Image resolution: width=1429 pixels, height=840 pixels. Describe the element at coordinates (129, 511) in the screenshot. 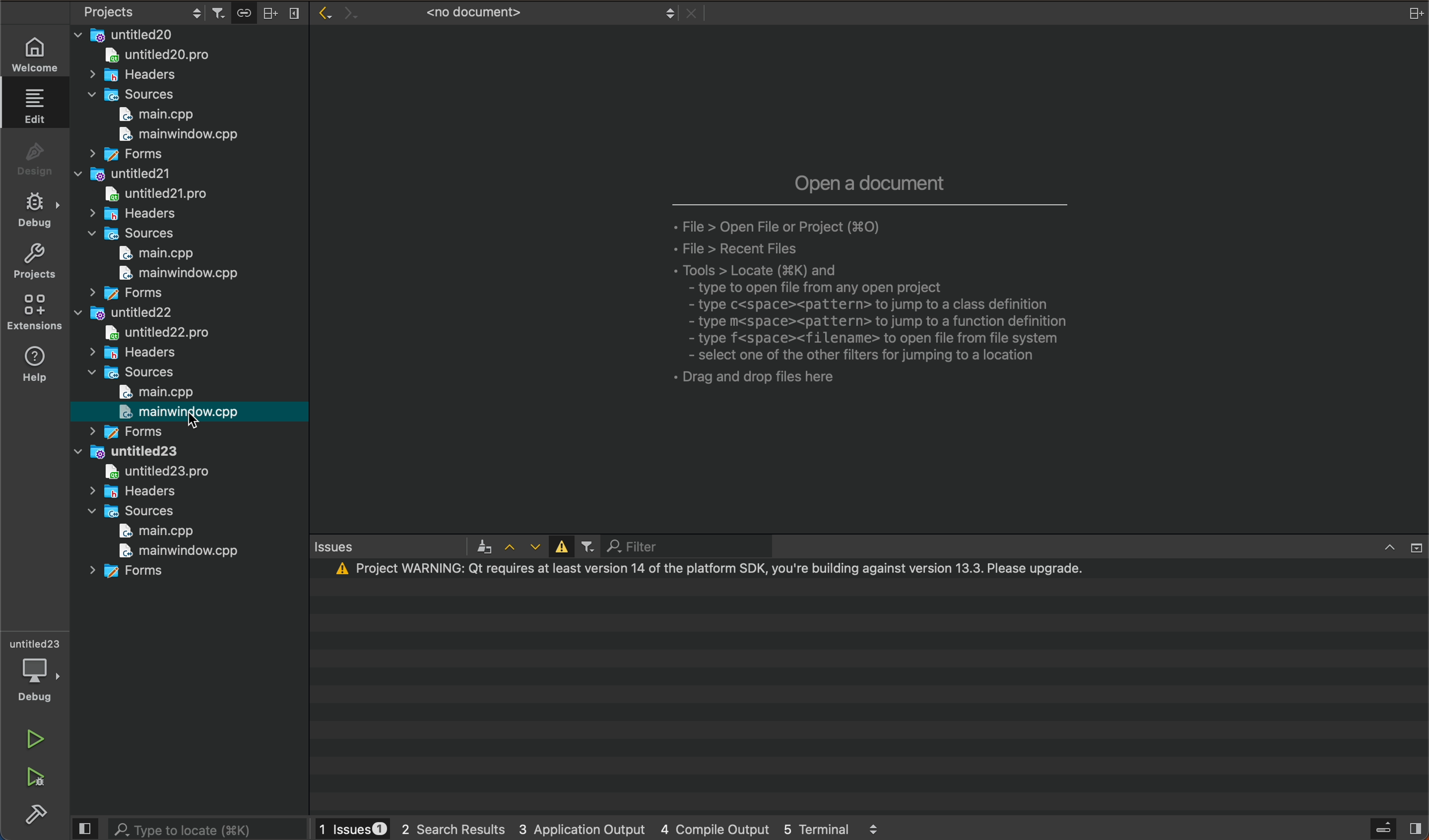

I see `sources` at that location.